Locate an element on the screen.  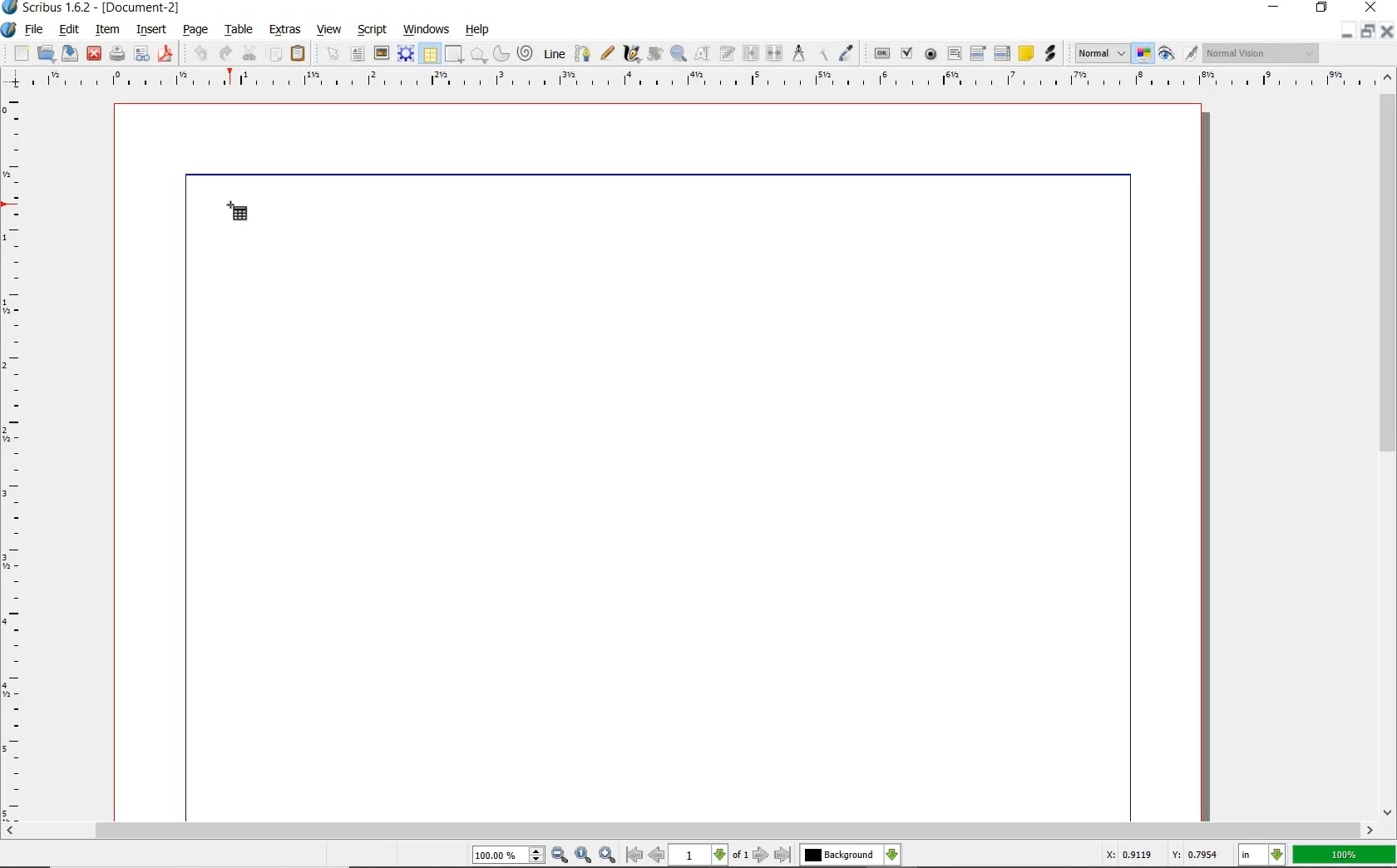
zoom in is located at coordinates (606, 856).